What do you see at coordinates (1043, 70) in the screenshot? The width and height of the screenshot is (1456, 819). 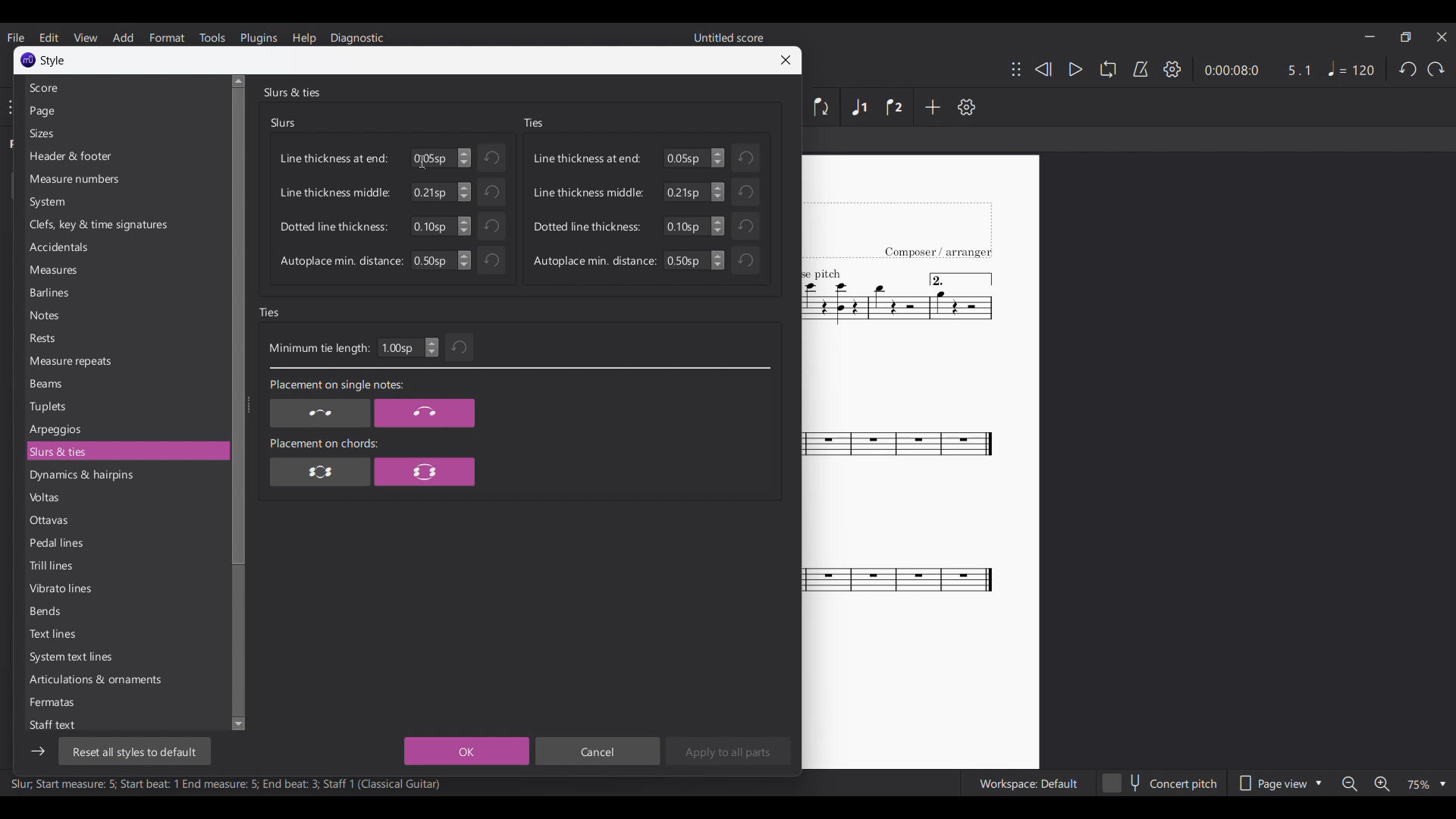 I see `Rewind` at bounding box center [1043, 70].